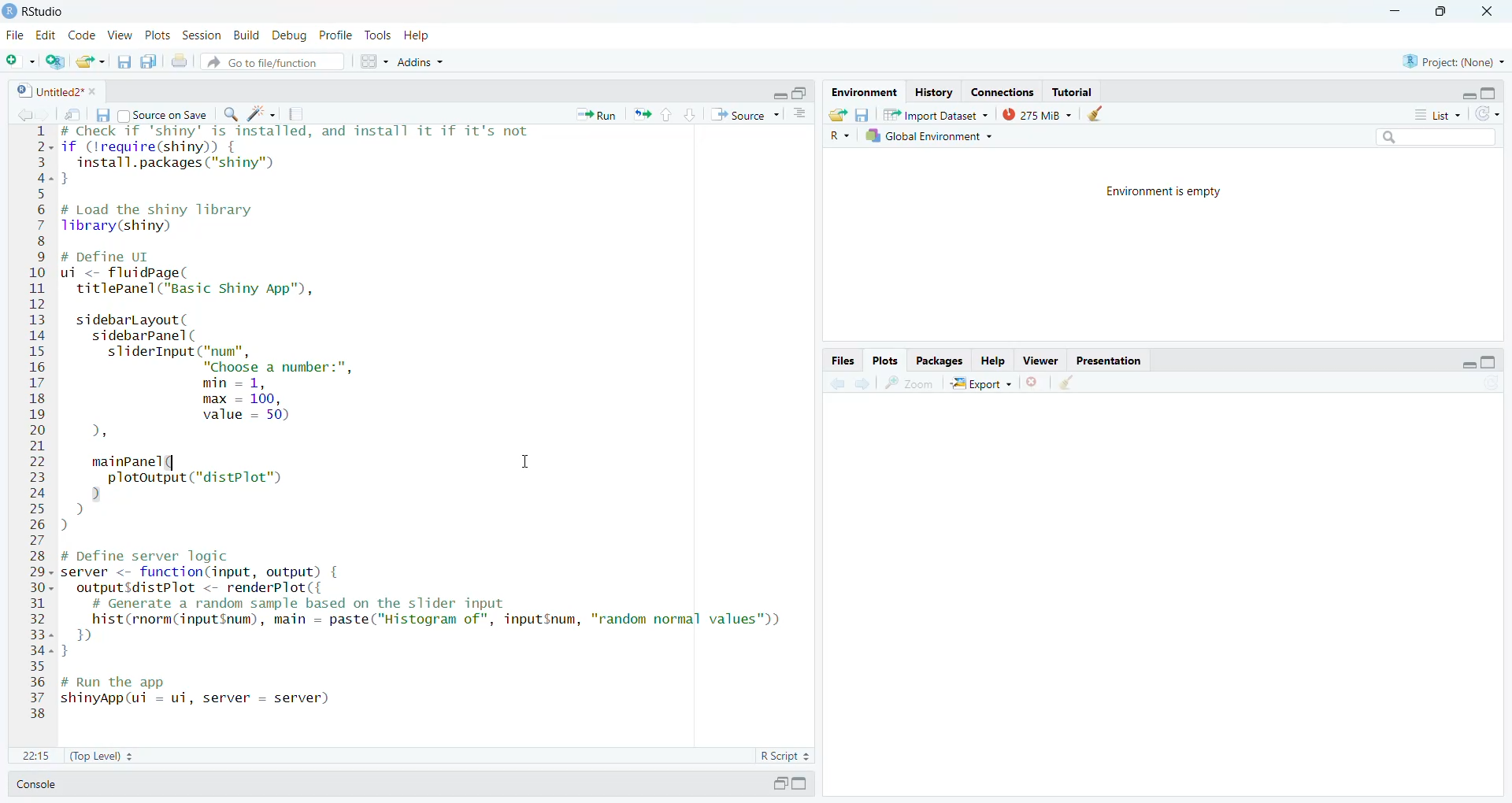 The image size is (1512, 803). Describe the element at coordinates (379, 35) in the screenshot. I see `Tools` at that location.